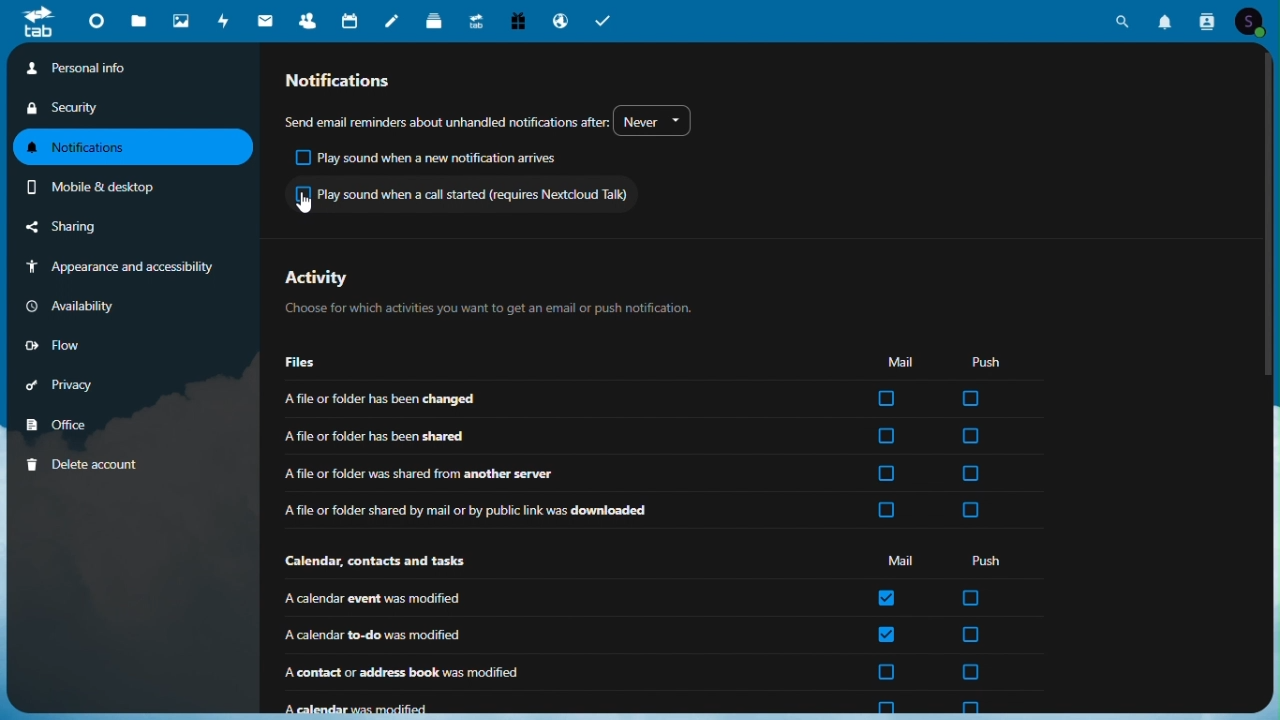 This screenshot has height=720, width=1280. I want to click on a contact or address was modified, so click(553, 673).